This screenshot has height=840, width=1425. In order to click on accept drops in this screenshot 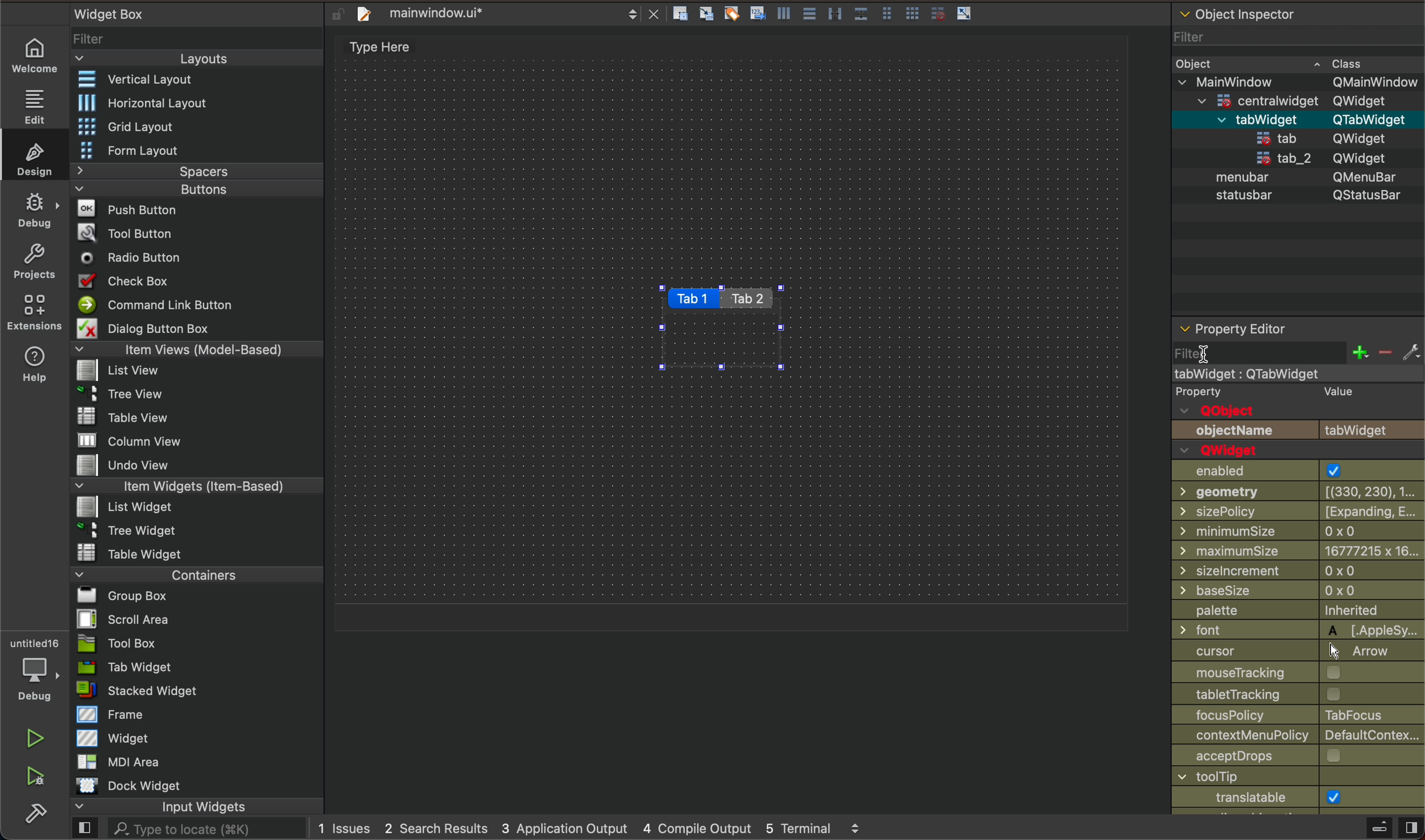, I will do `click(1299, 756)`.